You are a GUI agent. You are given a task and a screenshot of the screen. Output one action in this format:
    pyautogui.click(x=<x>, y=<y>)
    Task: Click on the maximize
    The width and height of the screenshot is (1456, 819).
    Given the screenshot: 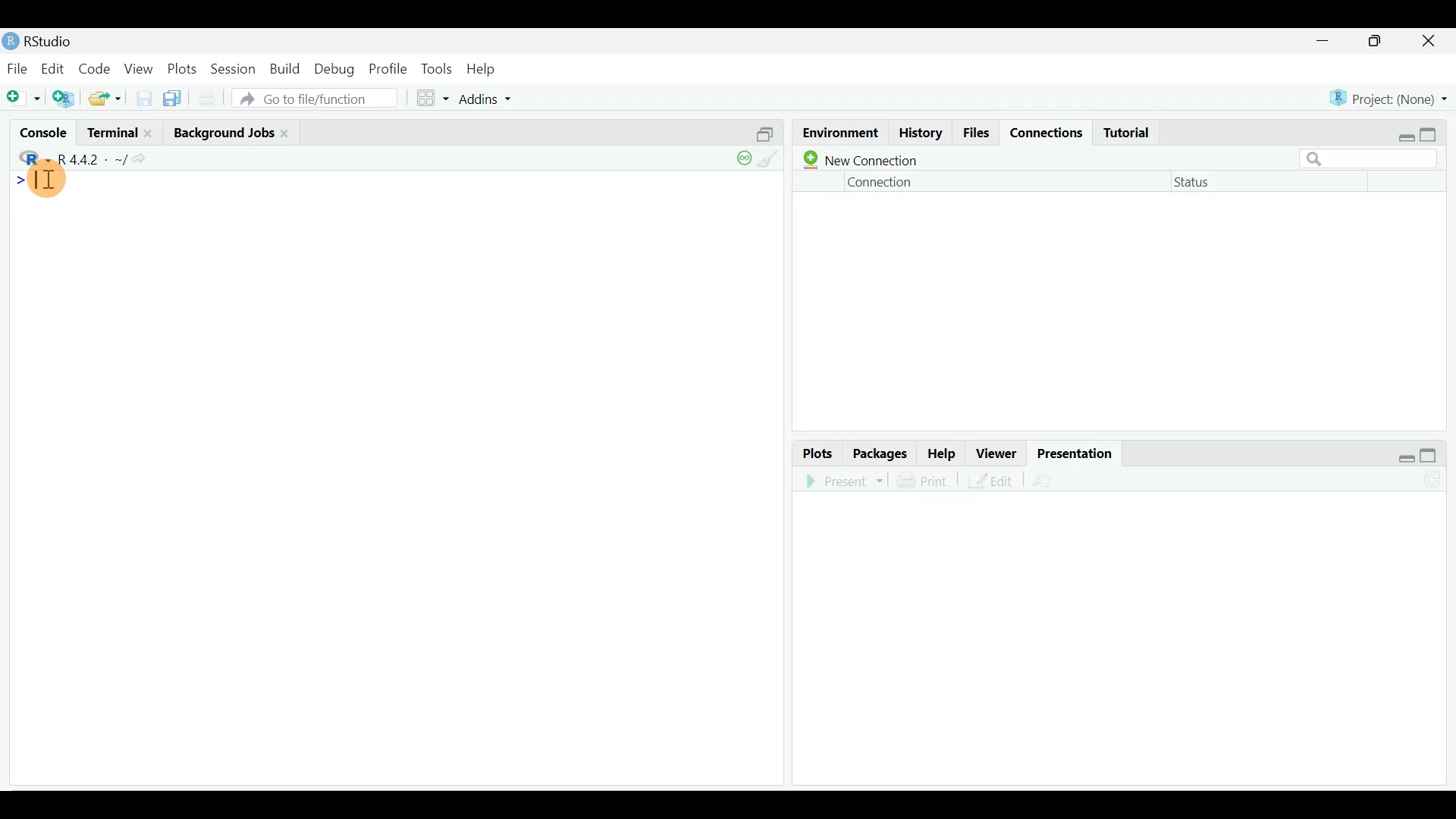 What is the action you would take?
    pyautogui.click(x=1433, y=131)
    